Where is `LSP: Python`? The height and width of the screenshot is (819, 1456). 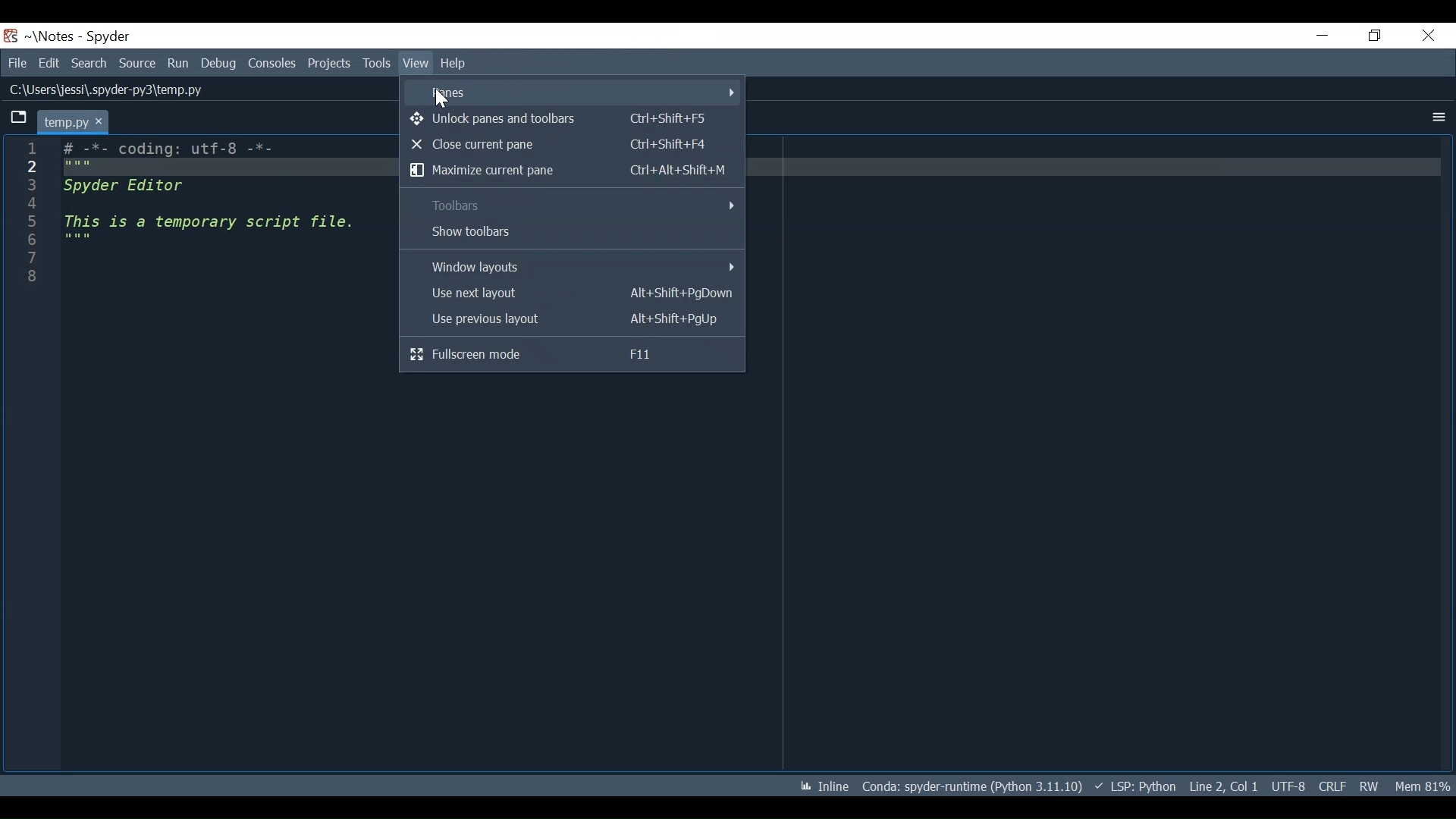
LSP: Python is located at coordinates (1134, 786).